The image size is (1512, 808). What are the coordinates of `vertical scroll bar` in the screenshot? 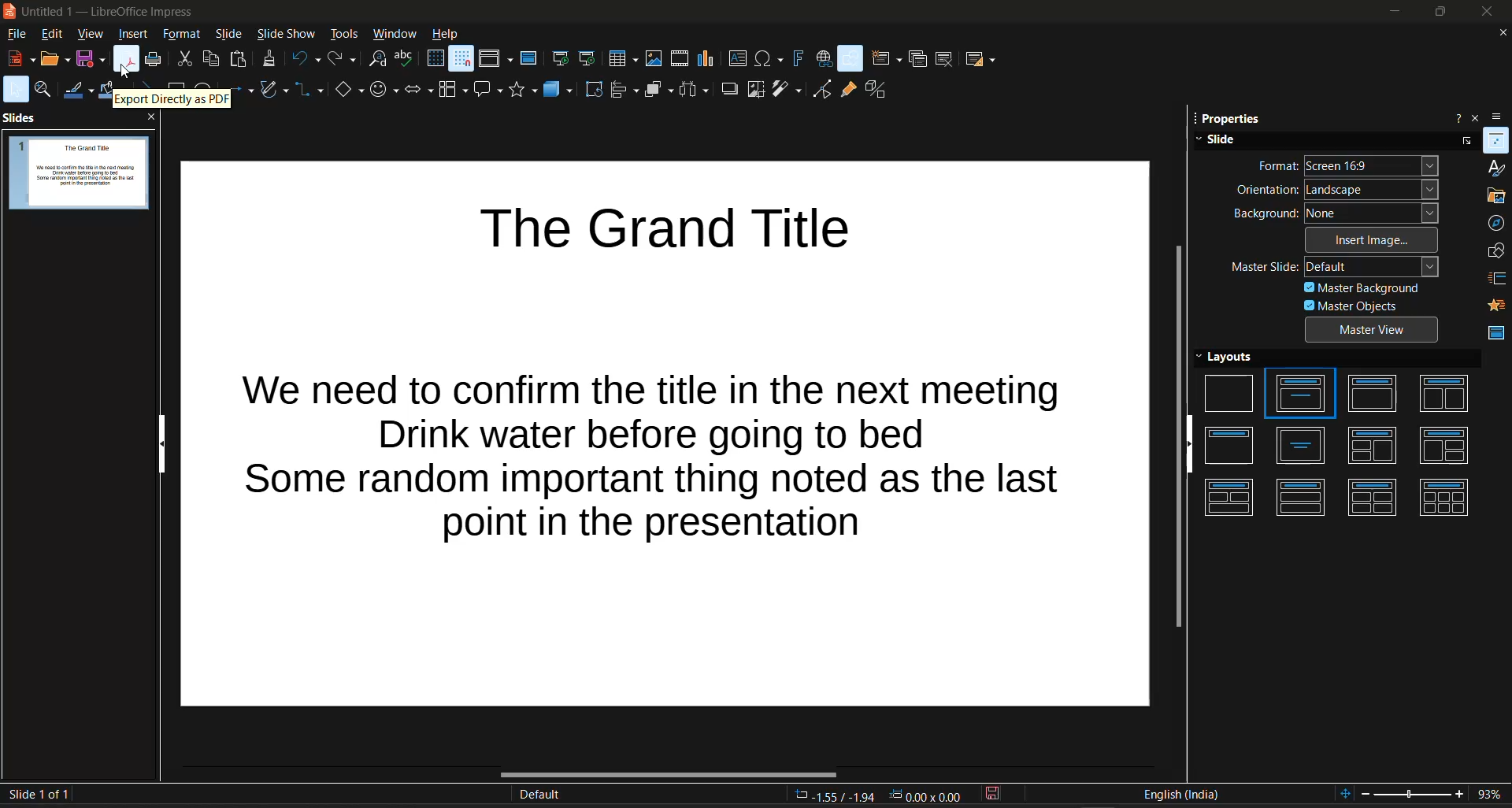 It's located at (1178, 437).